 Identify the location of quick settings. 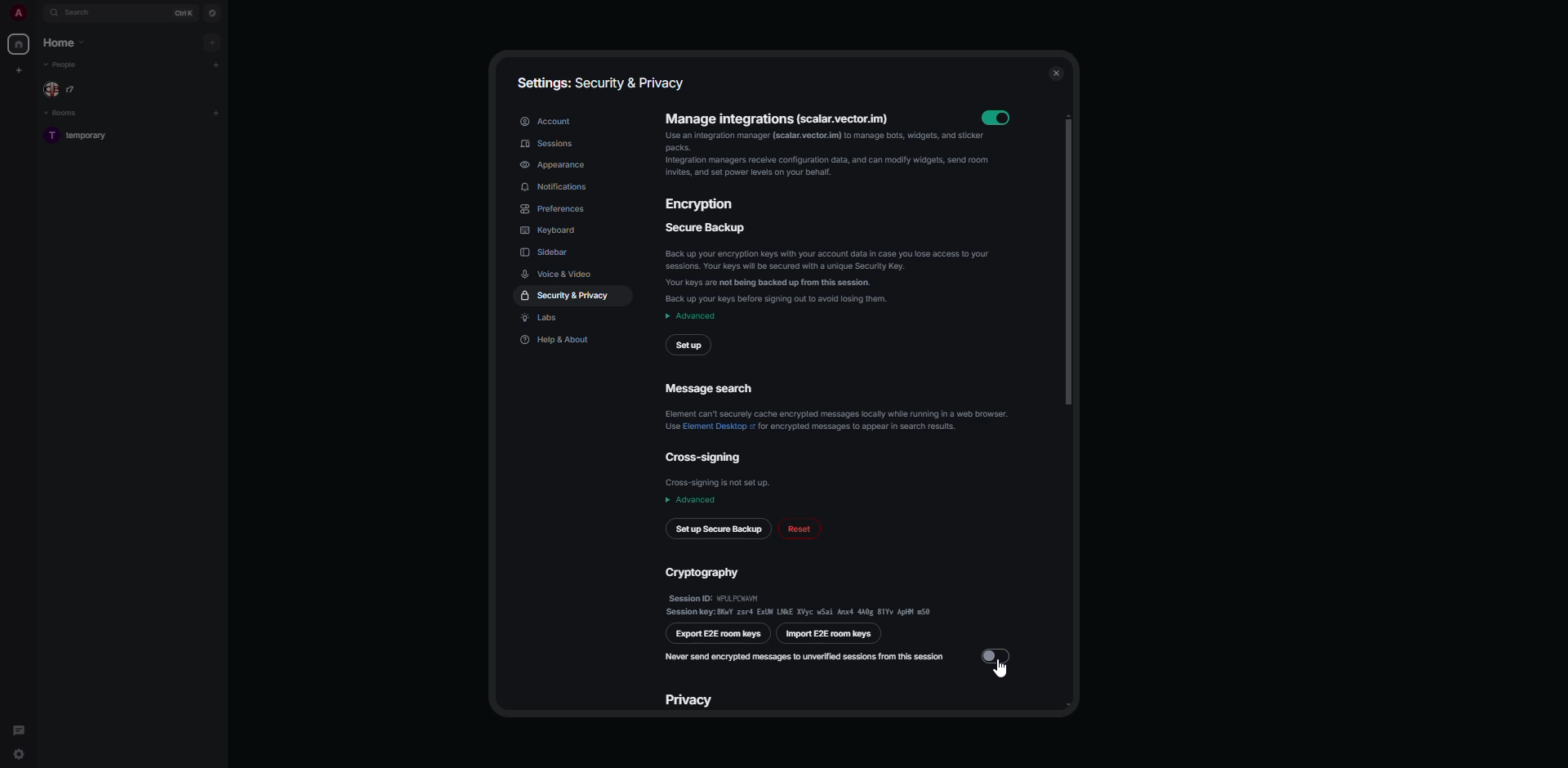
(20, 757).